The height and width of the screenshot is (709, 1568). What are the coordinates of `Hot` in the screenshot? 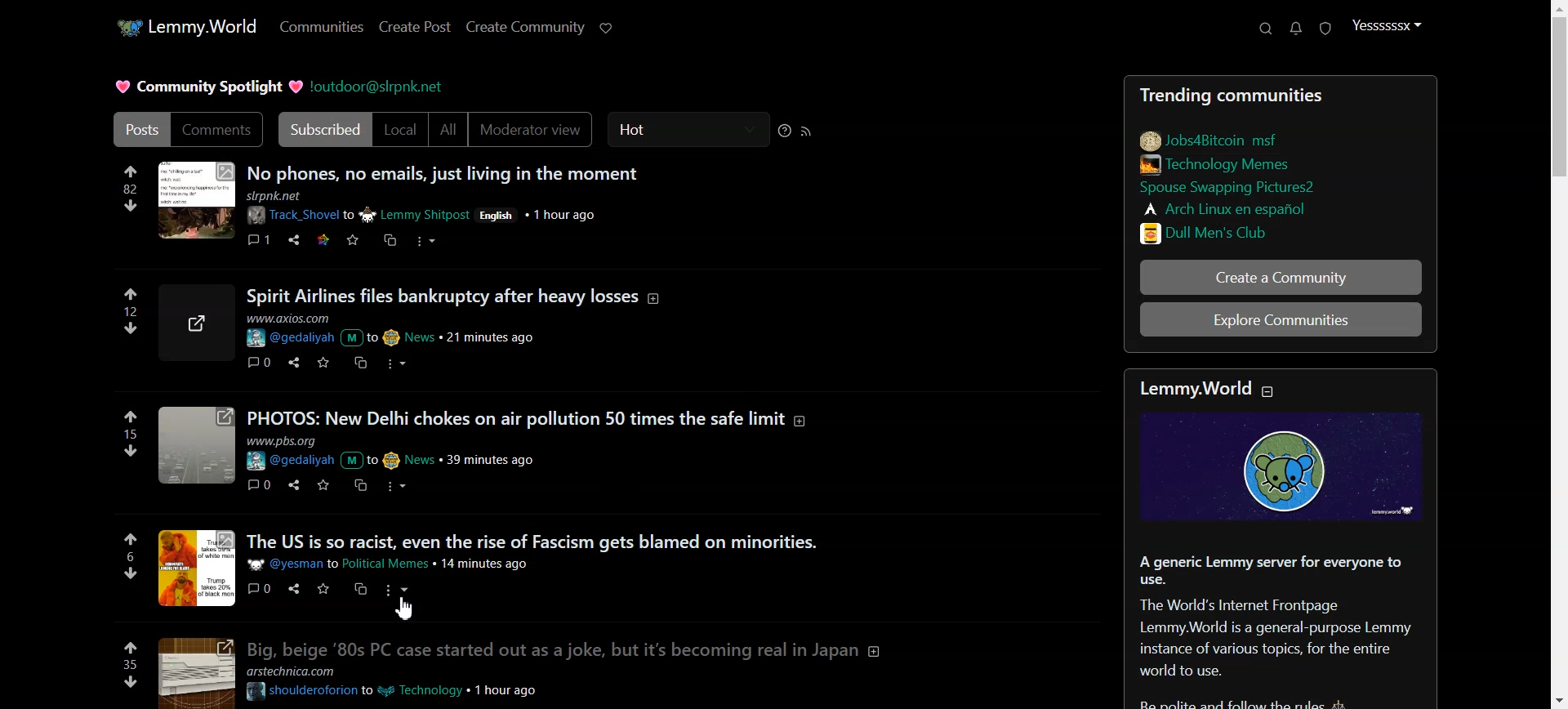 It's located at (688, 130).